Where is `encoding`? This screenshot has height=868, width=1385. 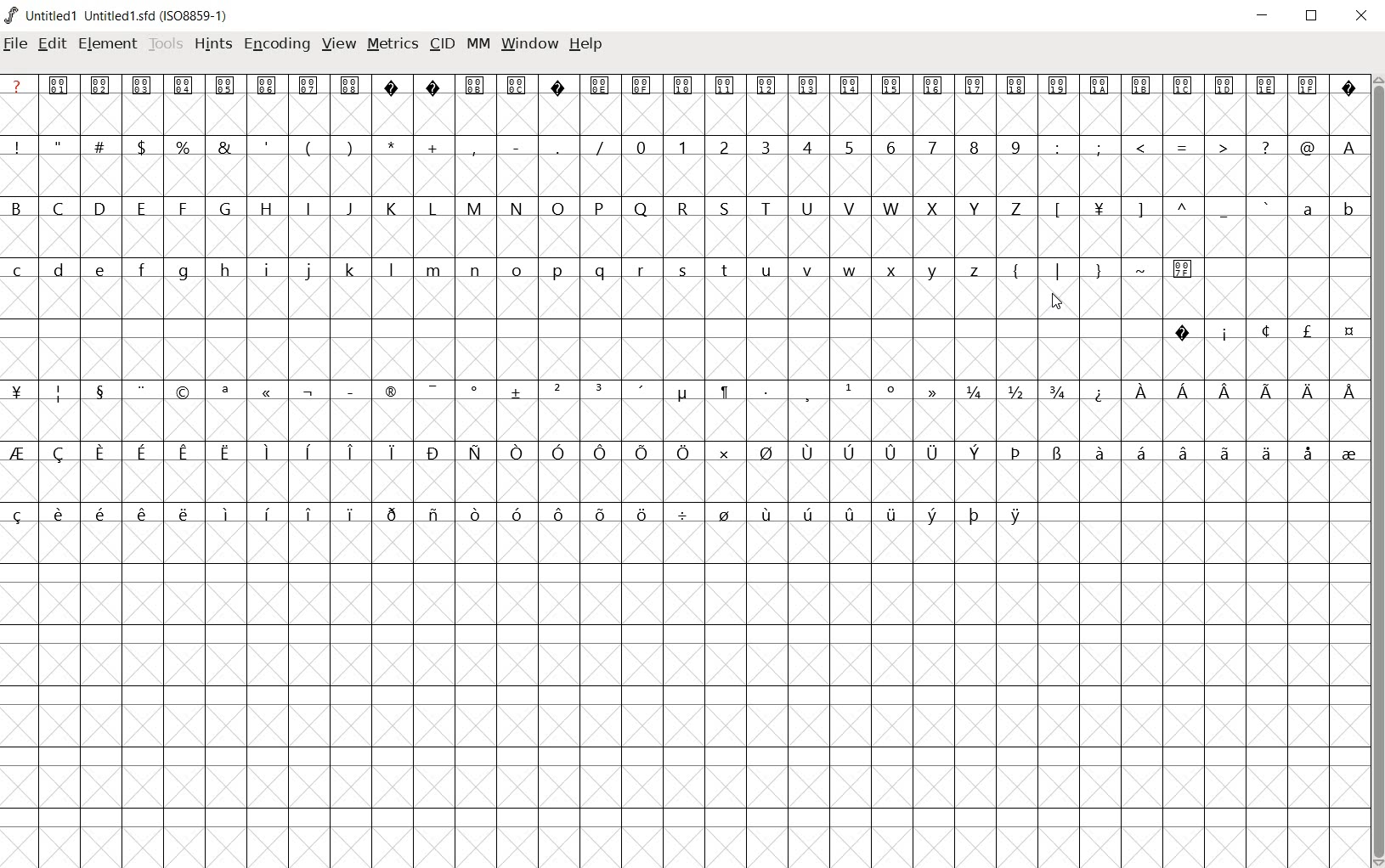
encoding is located at coordinates (278, 43).